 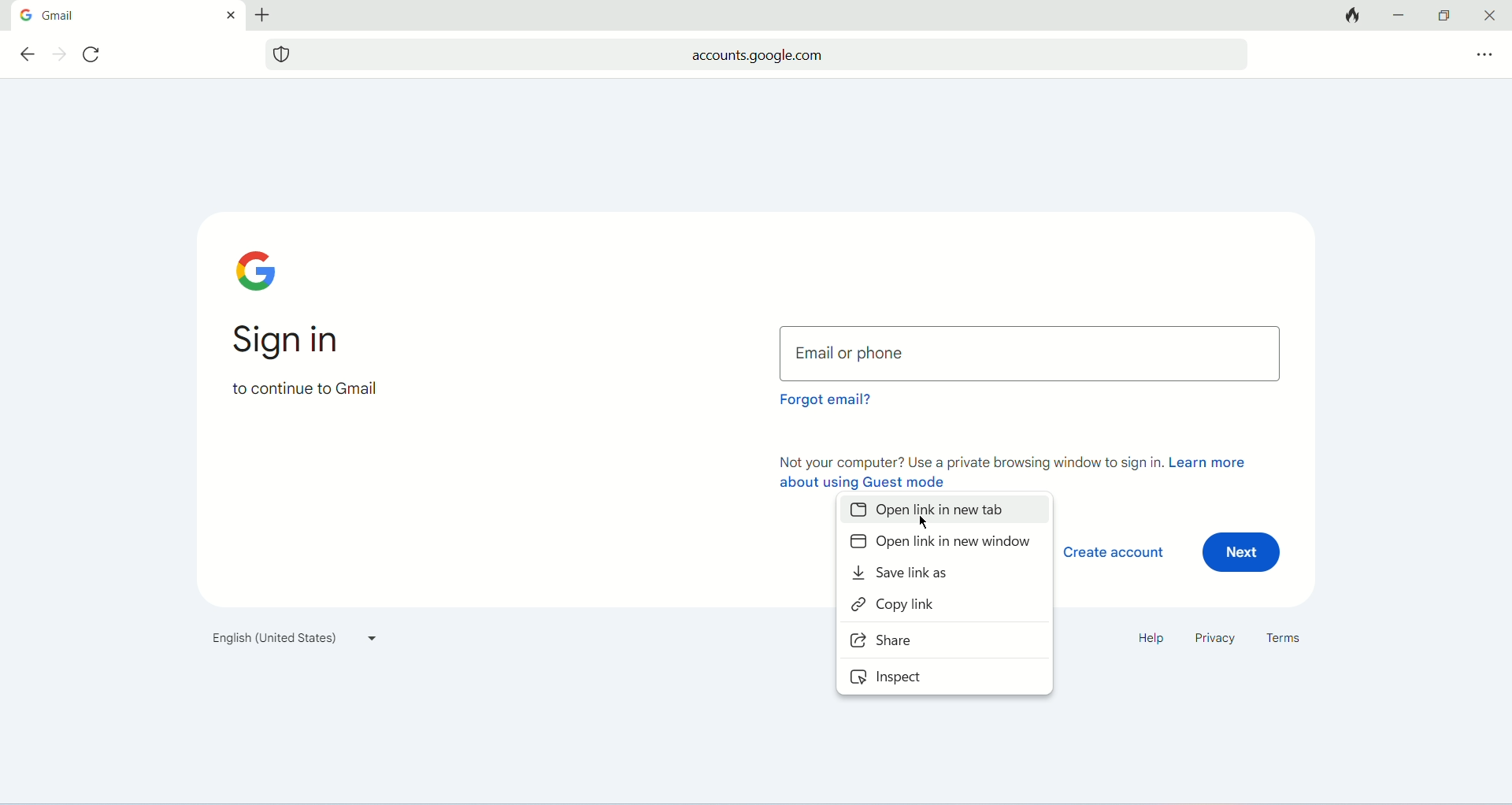 I want to click on google logo, so click(x=25, y=15).